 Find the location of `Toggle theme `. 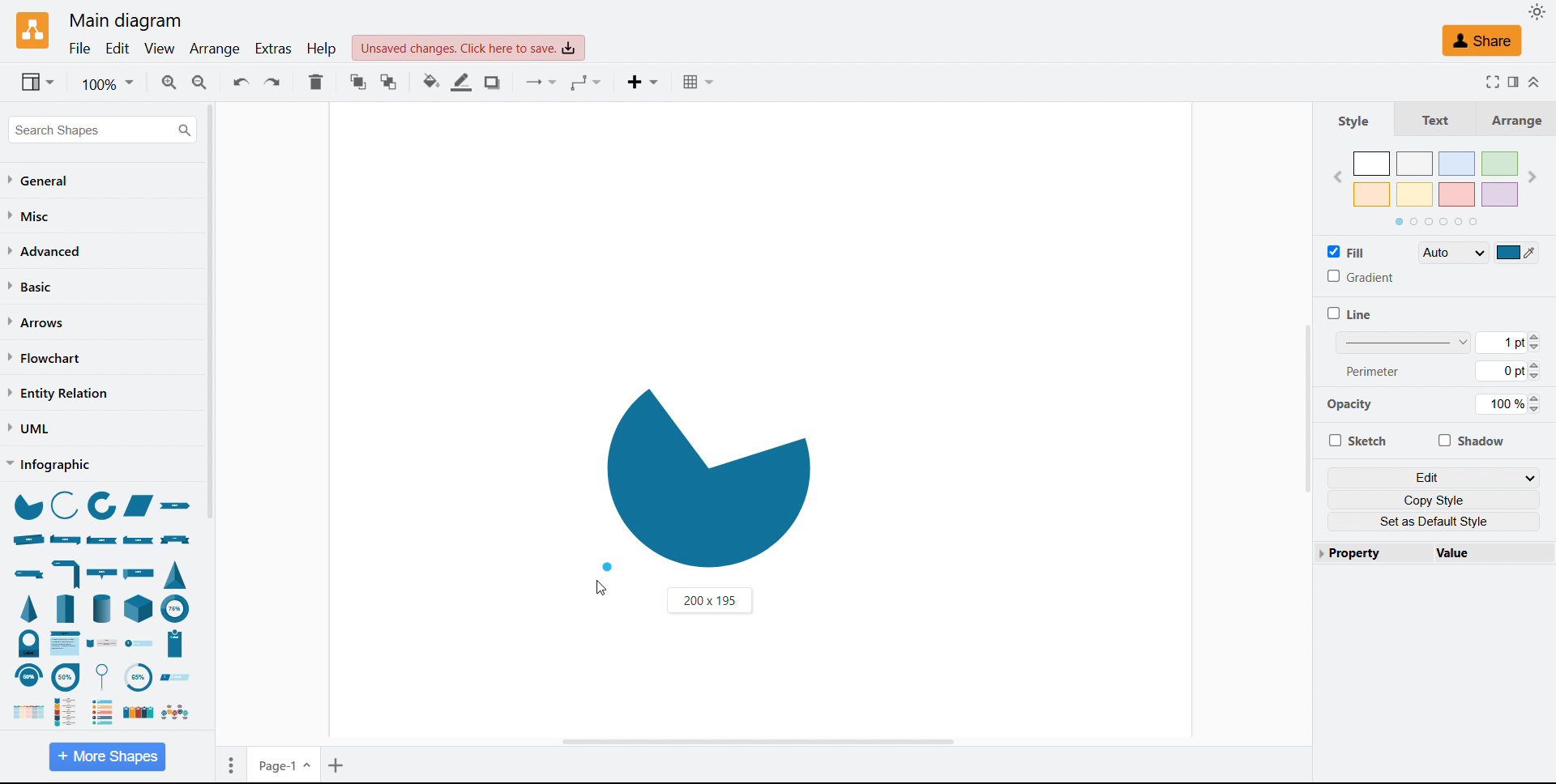

Toggle theme  is located at coordinates (1538, 11).